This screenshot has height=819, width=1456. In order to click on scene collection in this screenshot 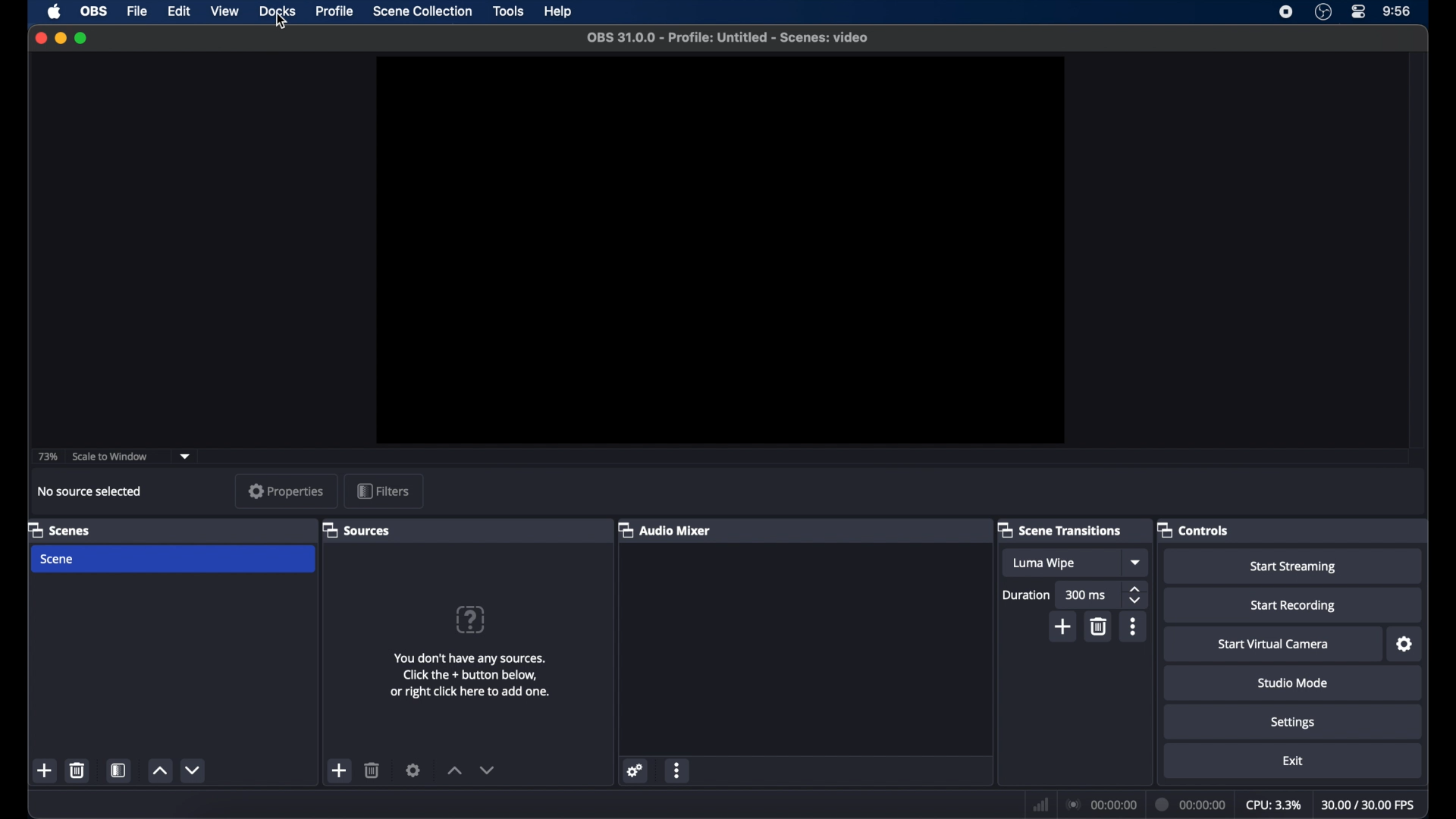, I will do `click(422, 11)`.